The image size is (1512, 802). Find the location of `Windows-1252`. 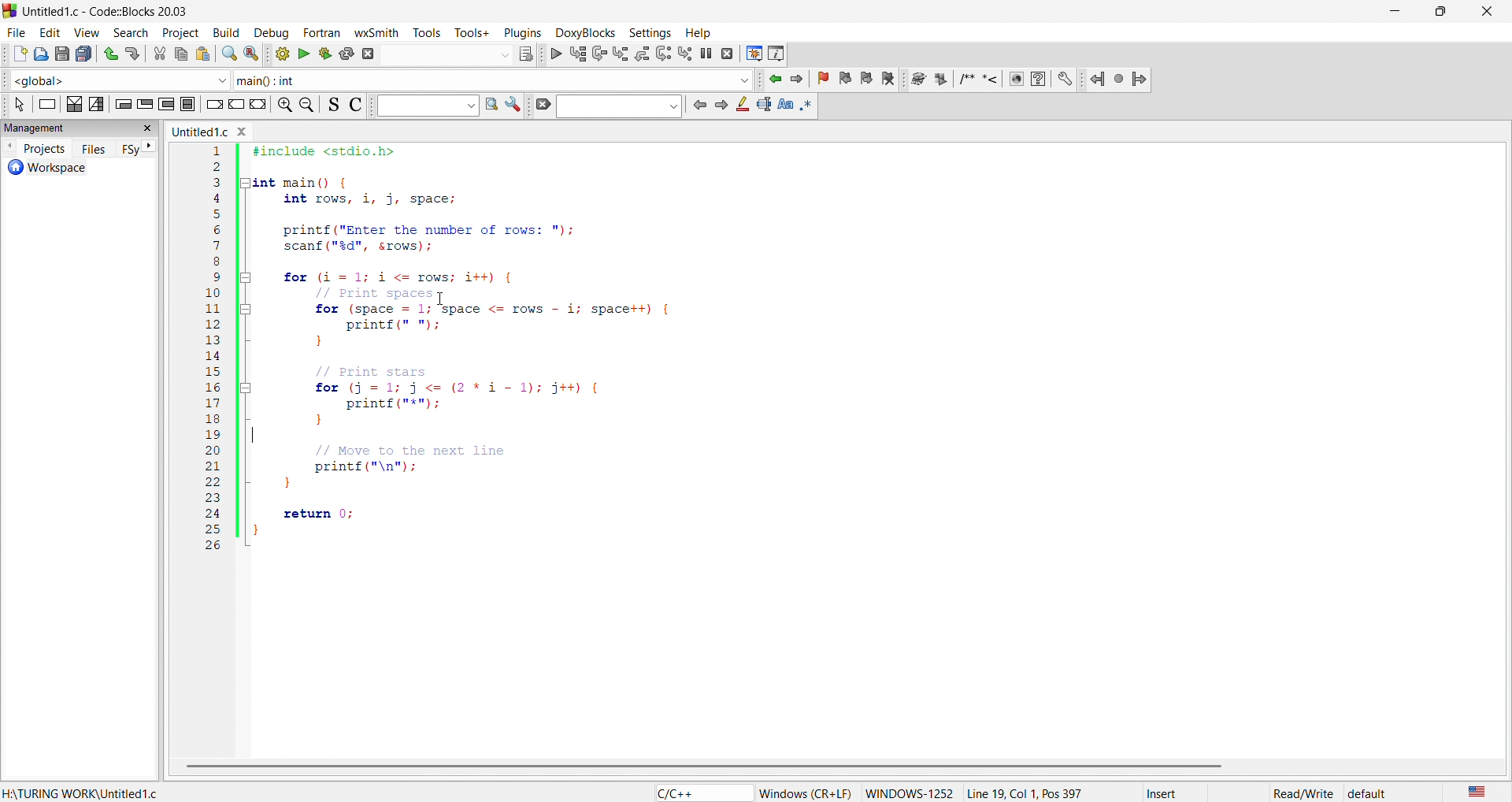

Windows-1252 is located at coordinates (910, 793).